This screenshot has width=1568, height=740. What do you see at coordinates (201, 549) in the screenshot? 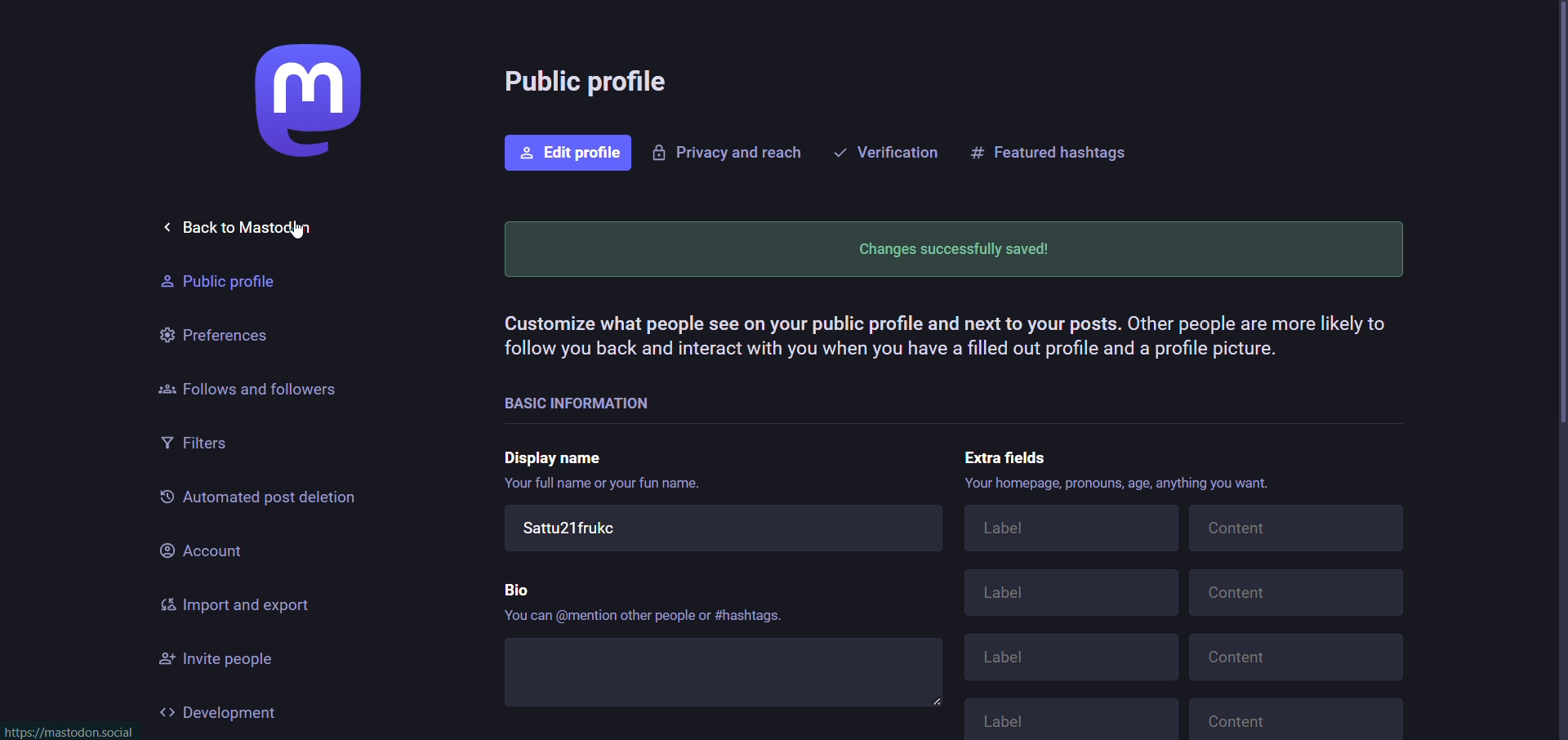
I see `account` at bounding box center [201, 549].